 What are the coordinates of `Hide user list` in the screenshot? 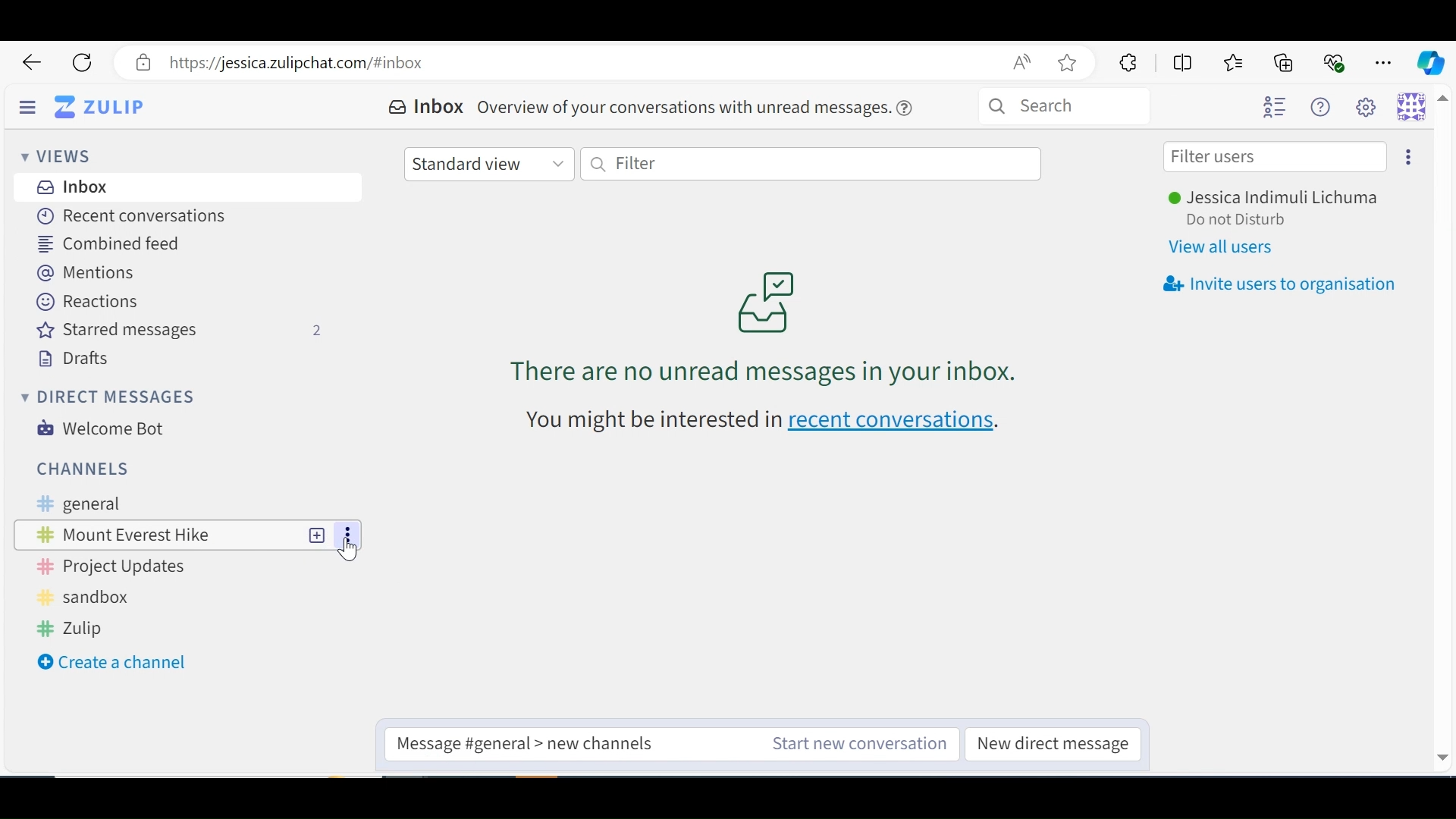 It's located at (1276, 108).